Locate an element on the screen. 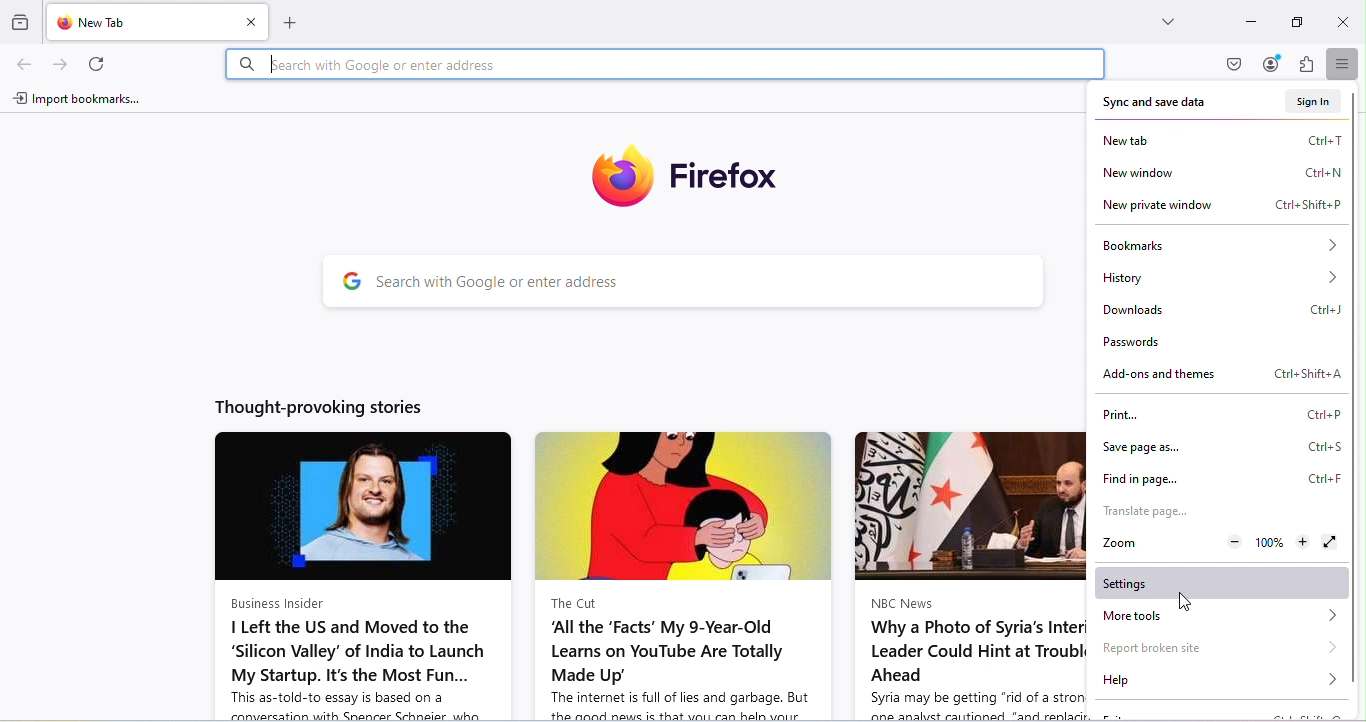 This screenshot has height=722, width=1366. Bookmarks is located at coordinates (1219, 243).